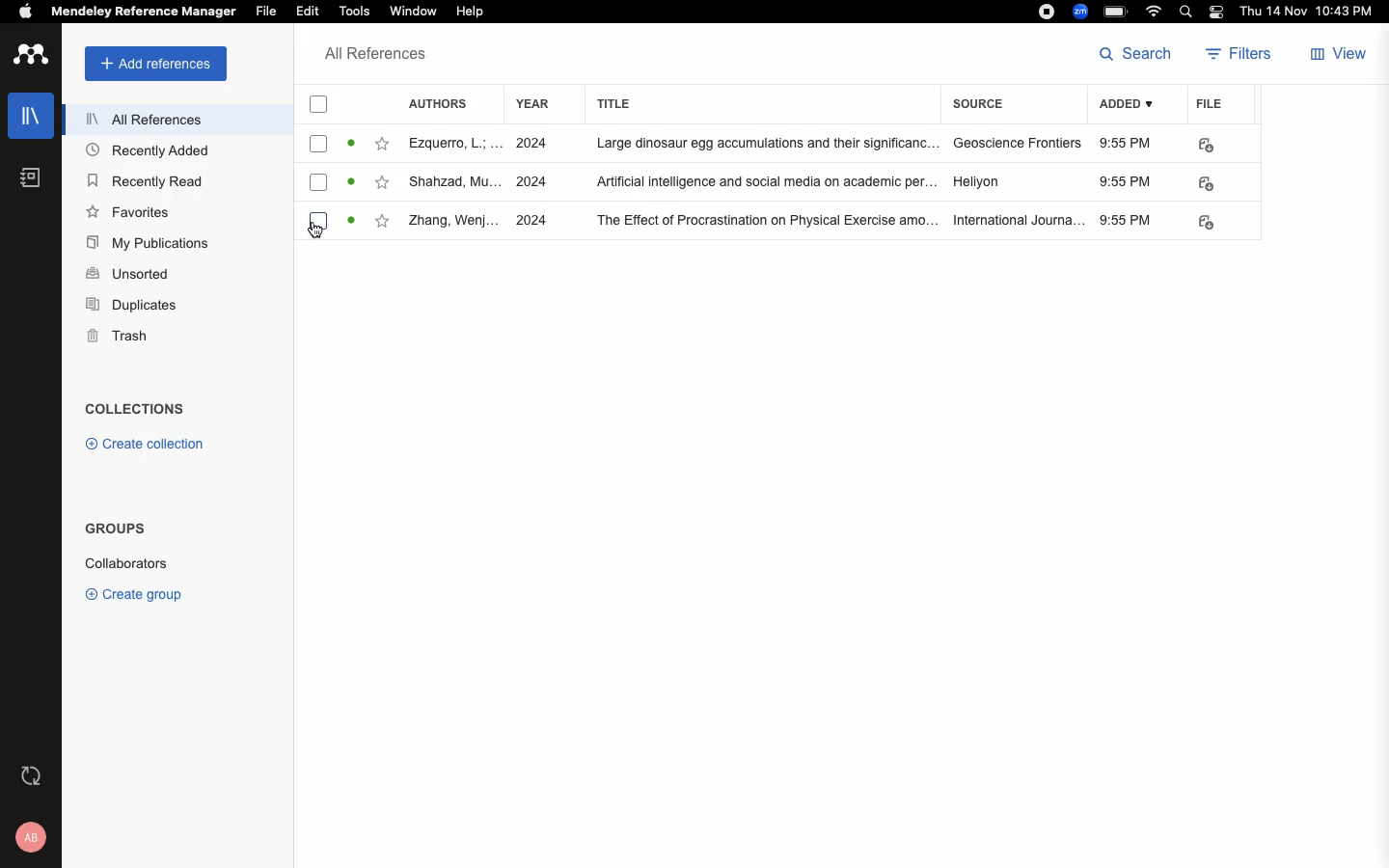 The width and height of the screenshot is (1389, 868). I want to click on Title, so click(764, 103).